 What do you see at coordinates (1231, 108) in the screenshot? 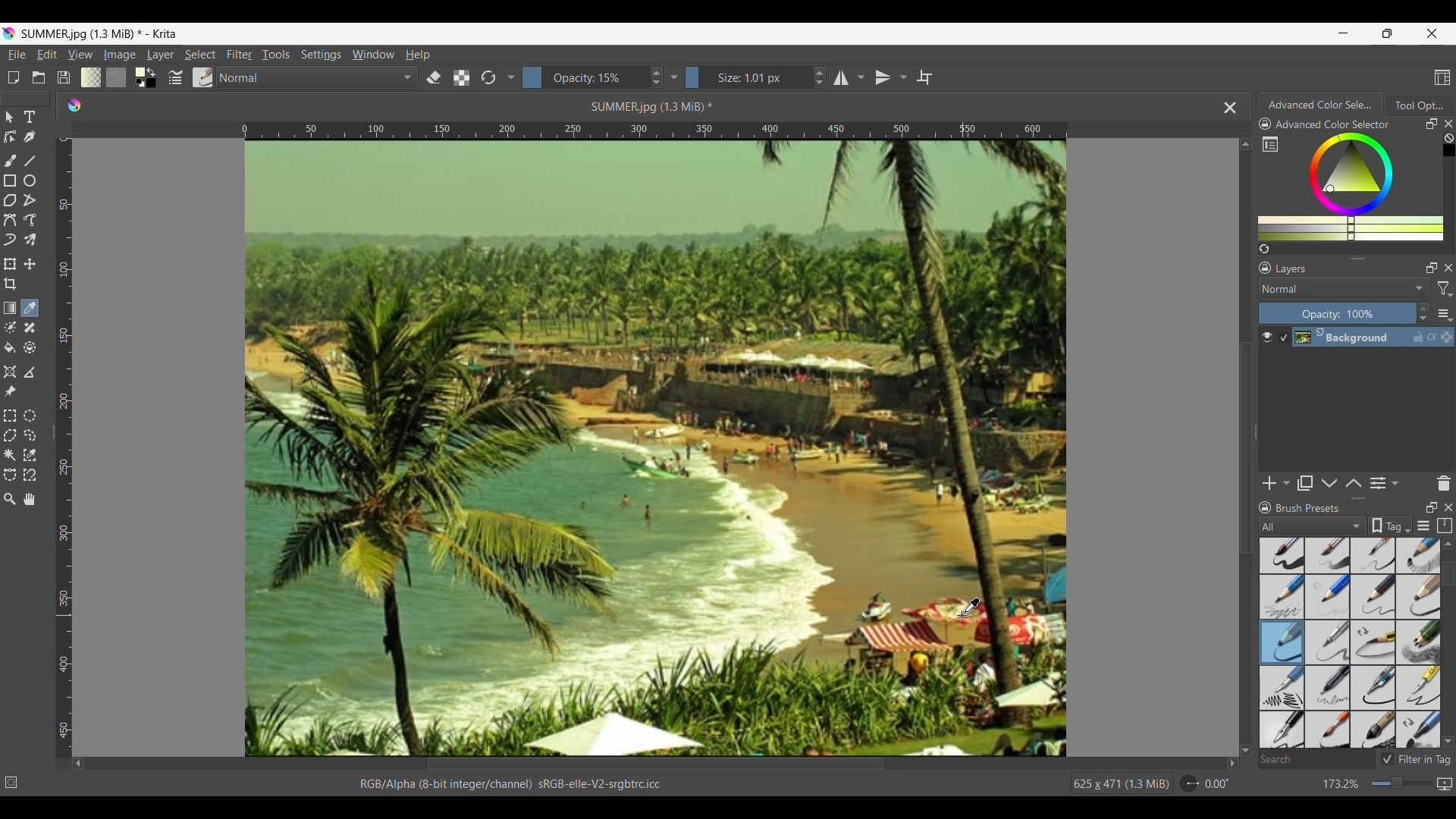
I see `Close tab` at bounding box center [1231, 108].